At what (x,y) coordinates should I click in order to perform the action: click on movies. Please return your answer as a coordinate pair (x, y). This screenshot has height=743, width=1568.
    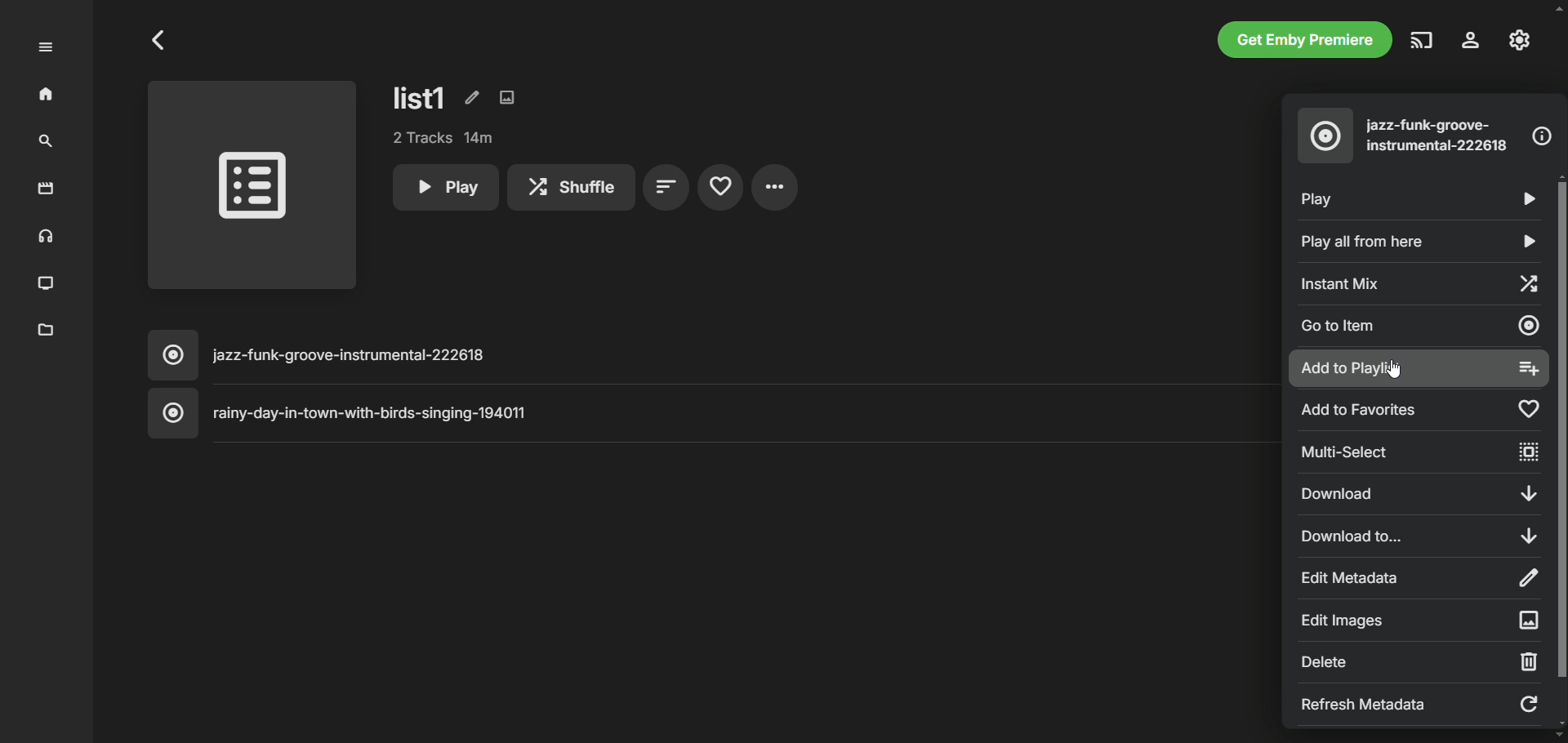
    Looking at the image, I should click on (47, 189).